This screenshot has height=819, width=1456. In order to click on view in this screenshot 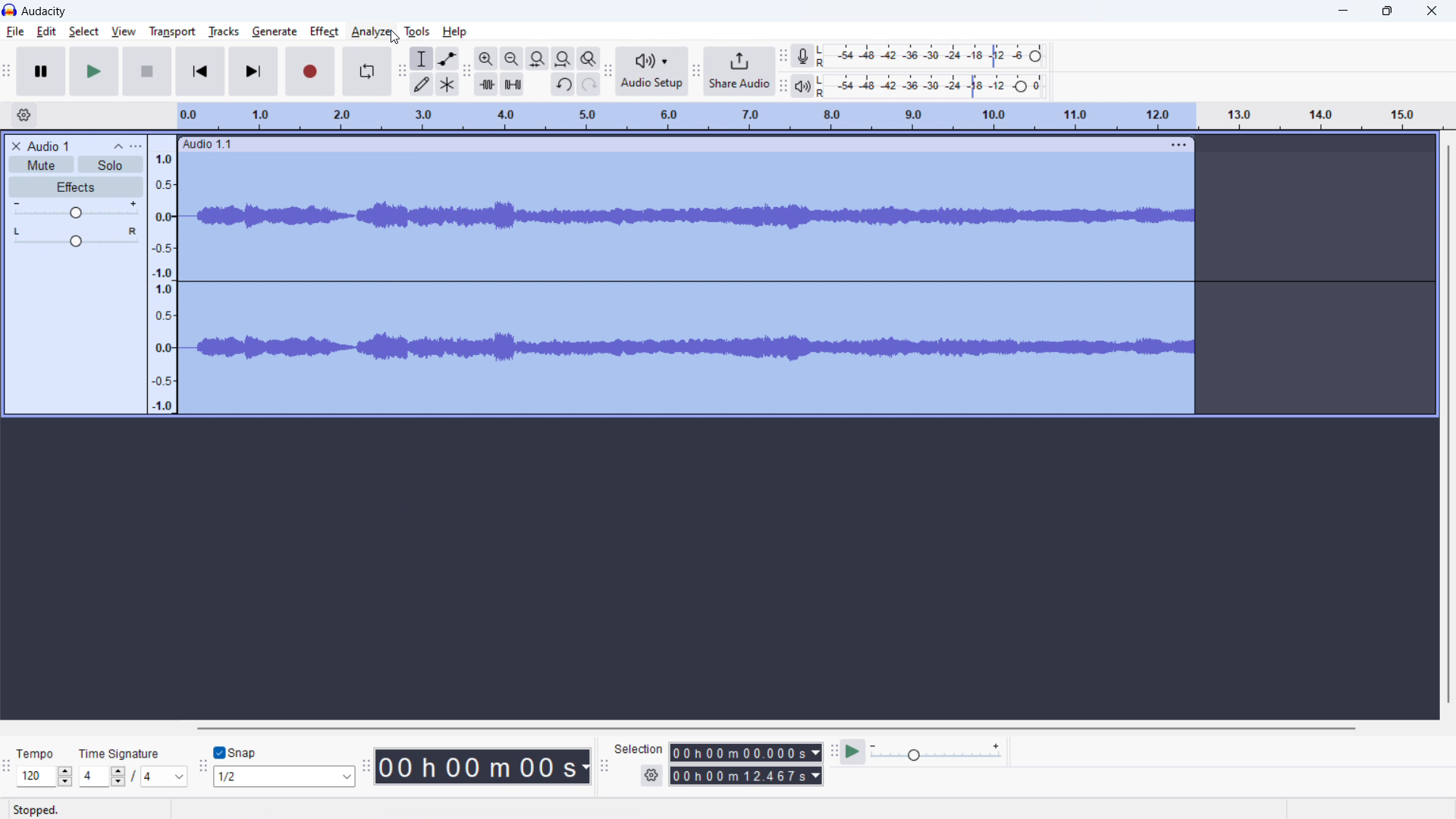, I will do `click(124, 32)`.